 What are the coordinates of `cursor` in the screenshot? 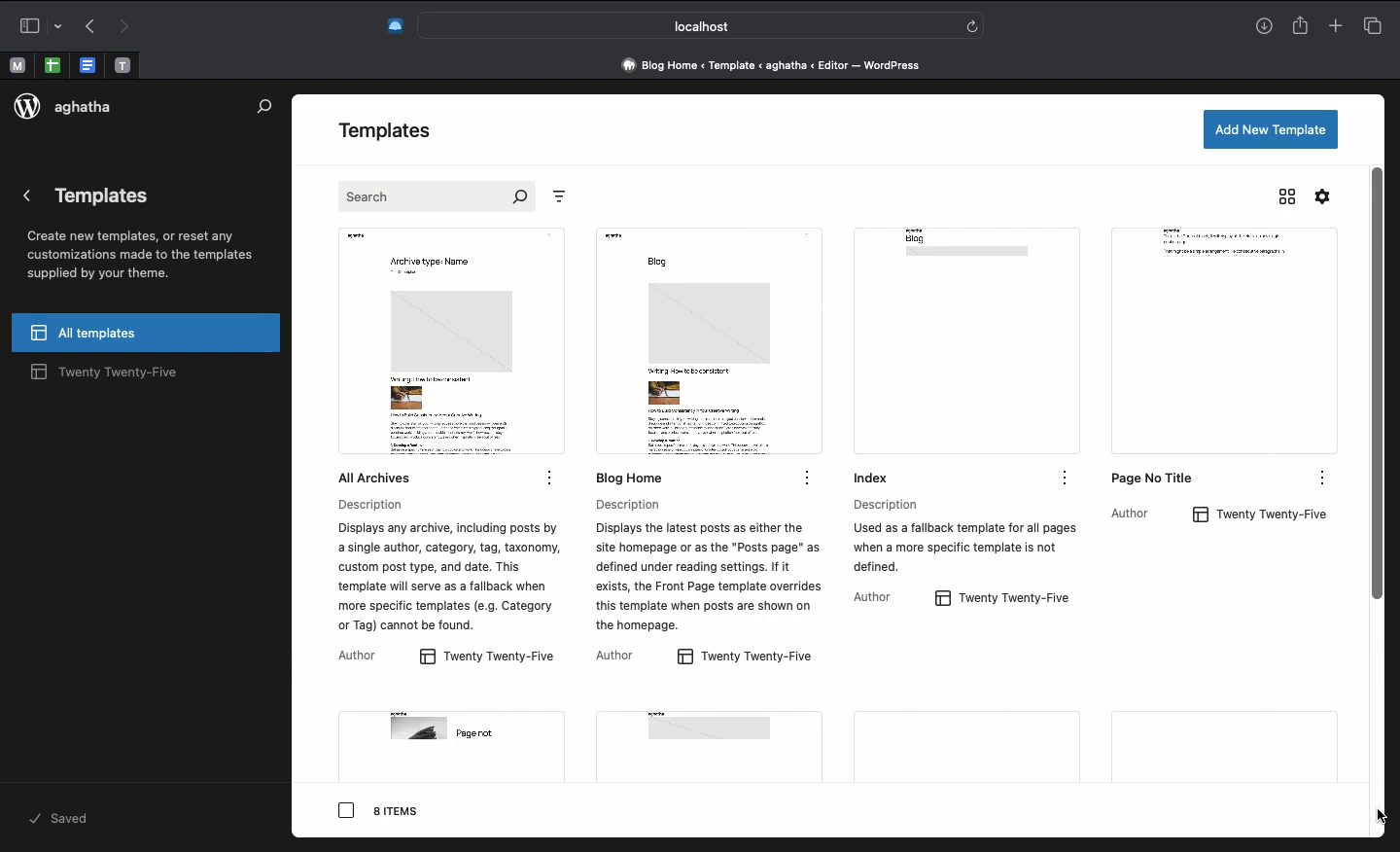 It's located at (1382, 820).